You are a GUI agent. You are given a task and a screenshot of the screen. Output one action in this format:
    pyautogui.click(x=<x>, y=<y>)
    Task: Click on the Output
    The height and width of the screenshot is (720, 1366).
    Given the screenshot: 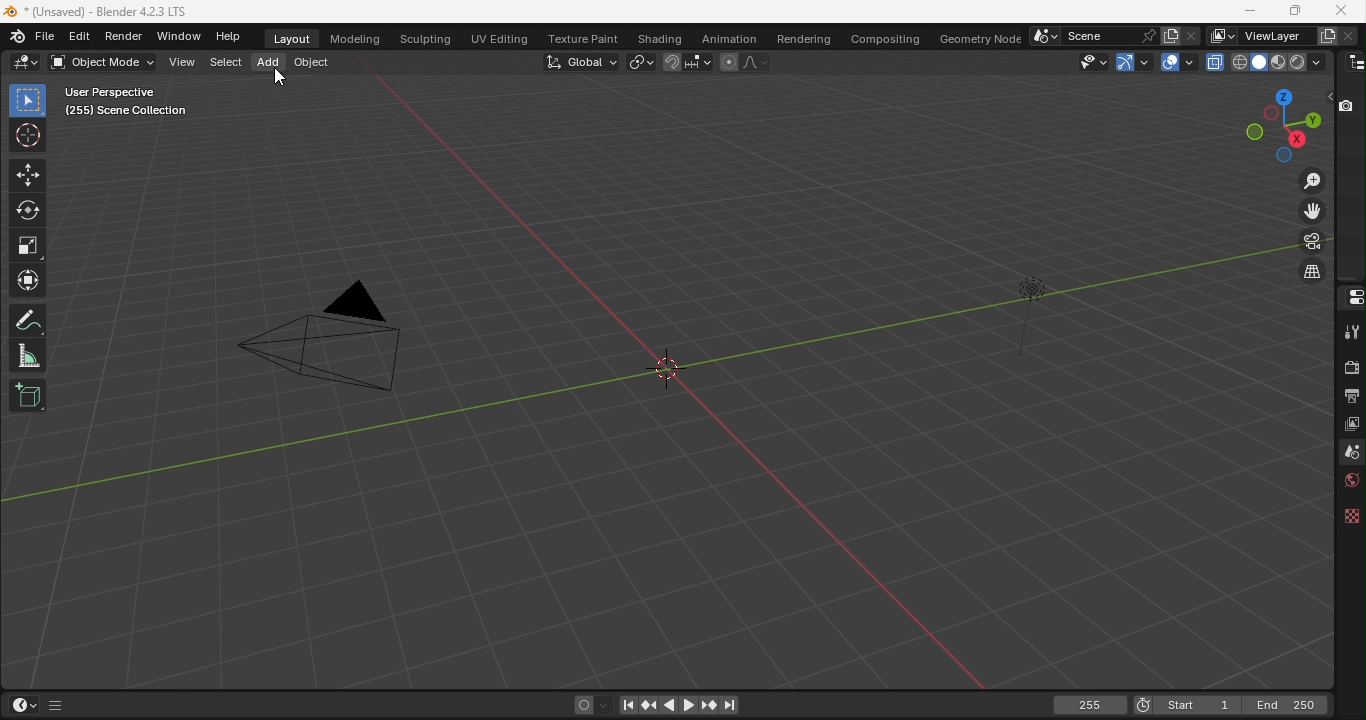 What is the action you would take?
    pyautogui.click(x=1349, y=398)
    